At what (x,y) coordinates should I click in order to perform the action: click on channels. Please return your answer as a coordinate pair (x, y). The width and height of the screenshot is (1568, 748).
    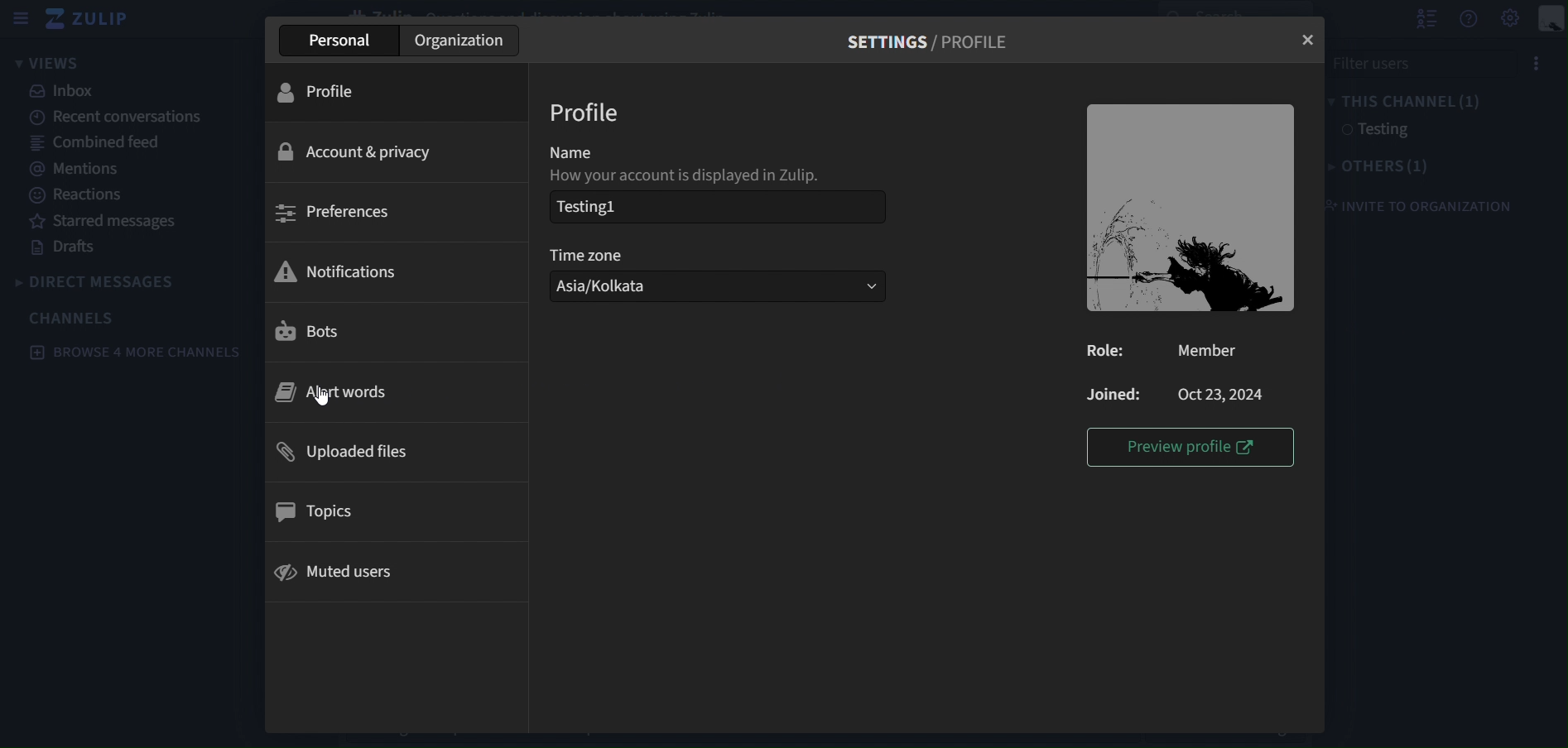
    Looking at the image, I should click on (75, 318).